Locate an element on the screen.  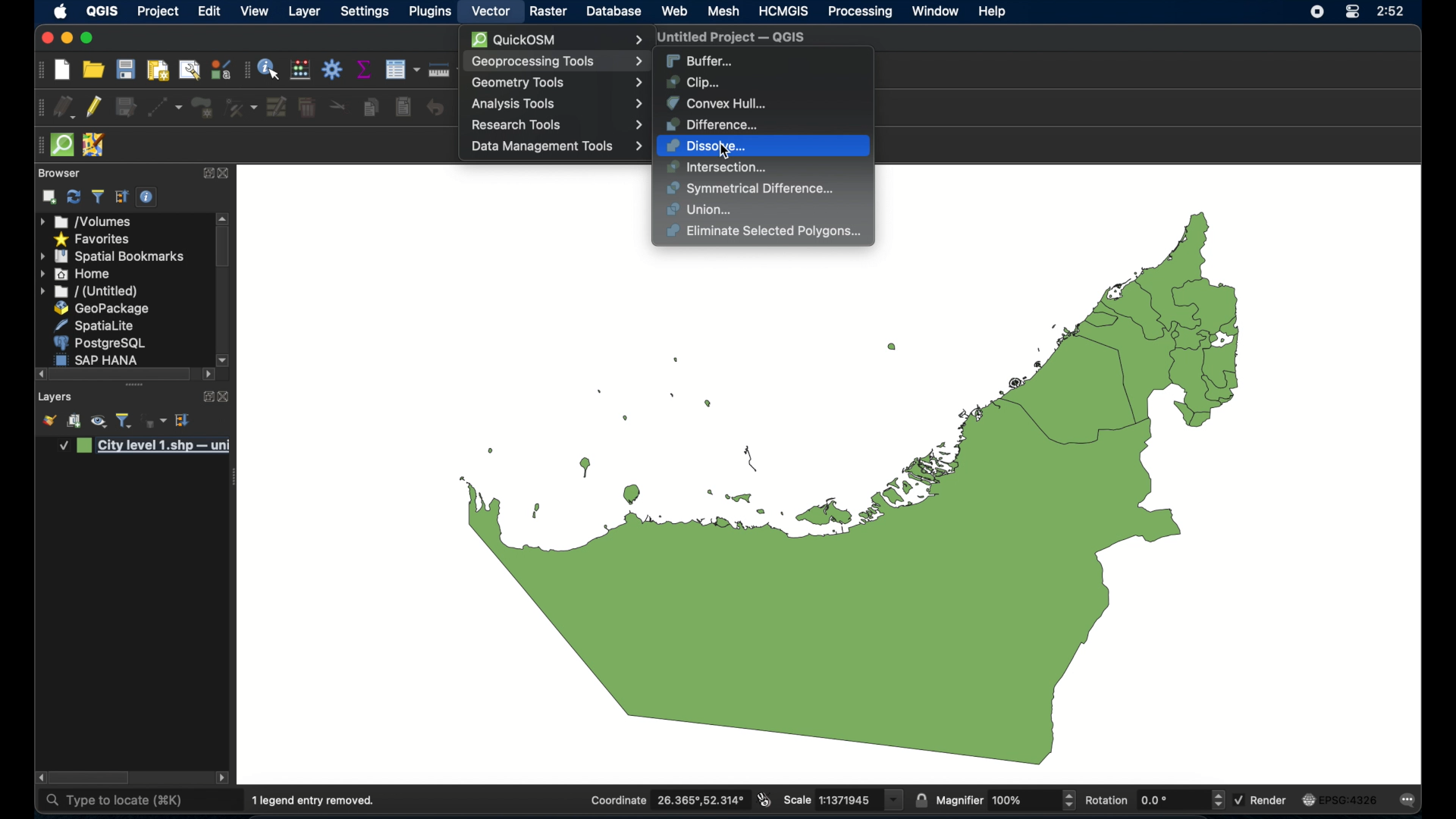
identify feature is located at coordinates (270, 70).